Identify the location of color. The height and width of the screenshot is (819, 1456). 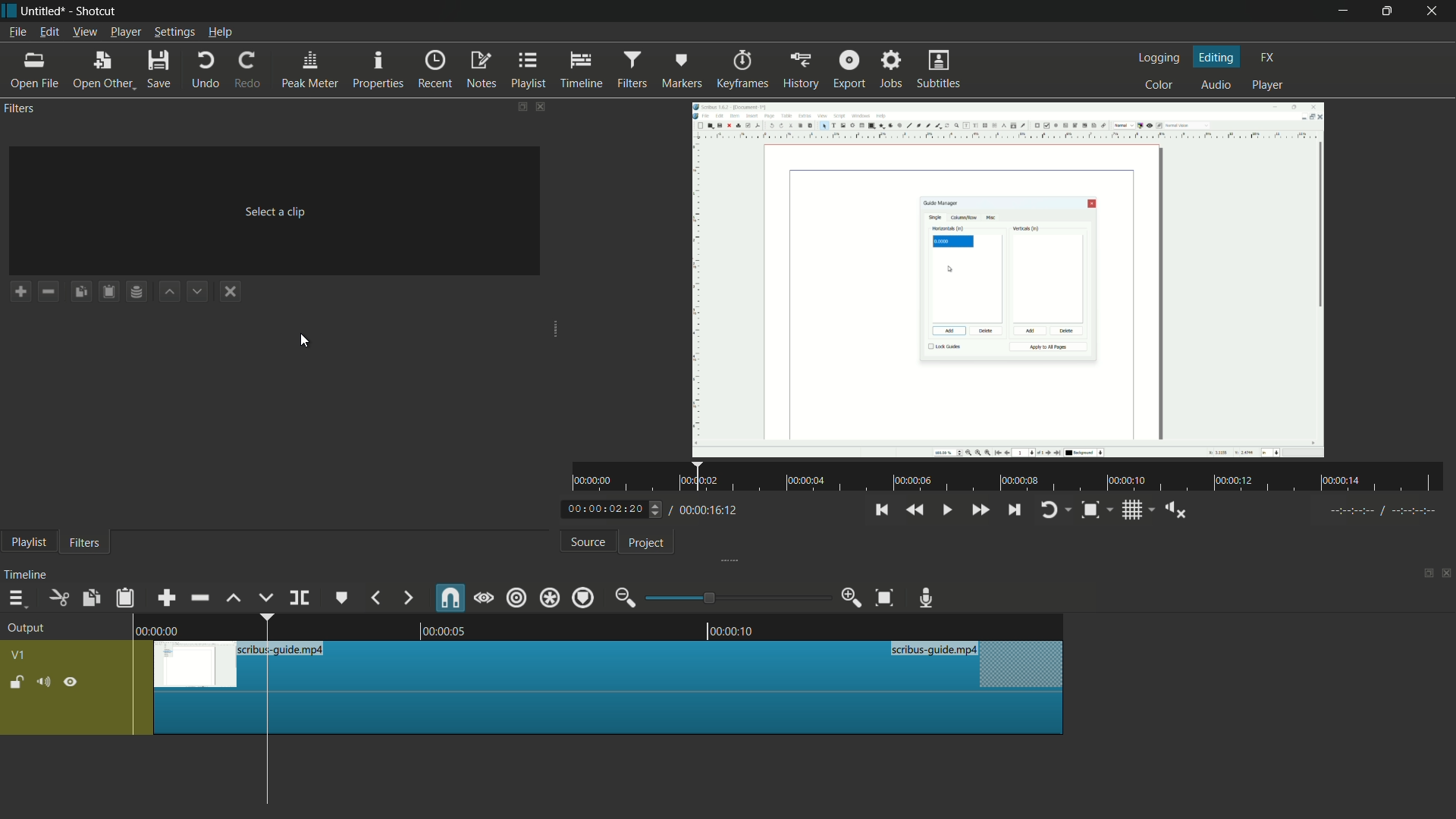
(1159, 83).